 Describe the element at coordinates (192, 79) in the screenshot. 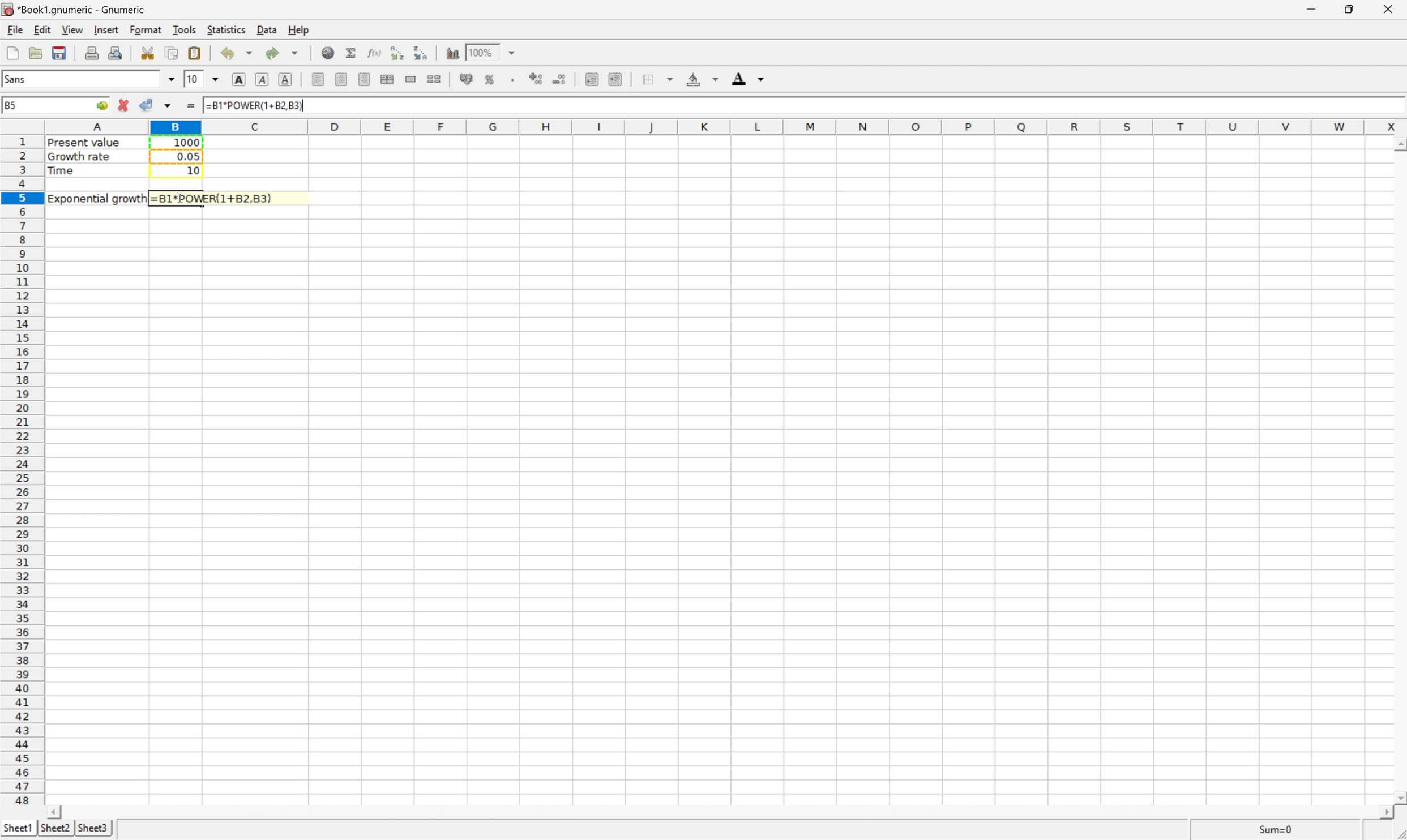

I see `10` at that location.